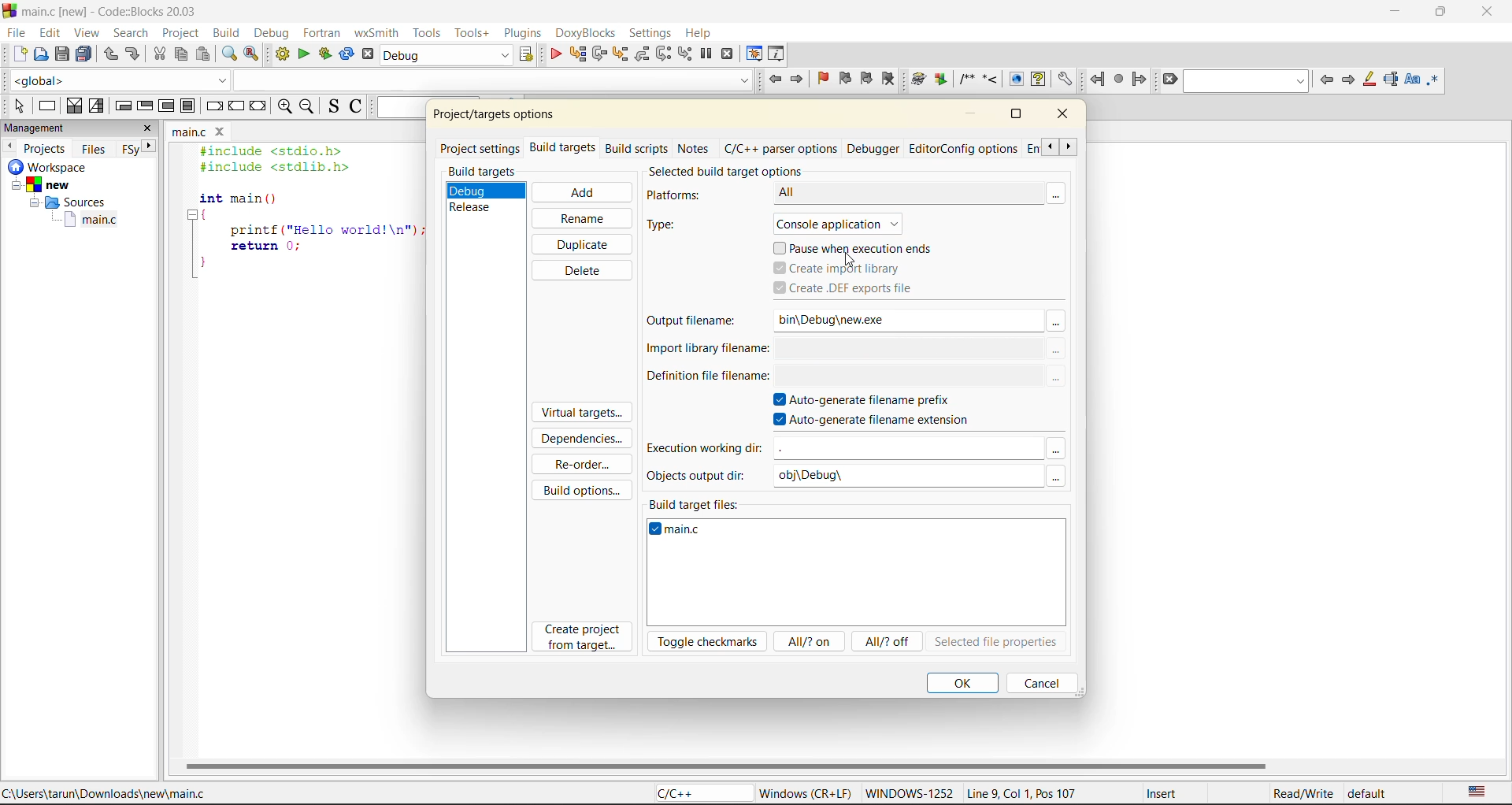 This screenshot has height=805, width=1512. What do you see at coordinates (251, 52) in the screenshot?
I see `replace` at bounding box center [251, 52].